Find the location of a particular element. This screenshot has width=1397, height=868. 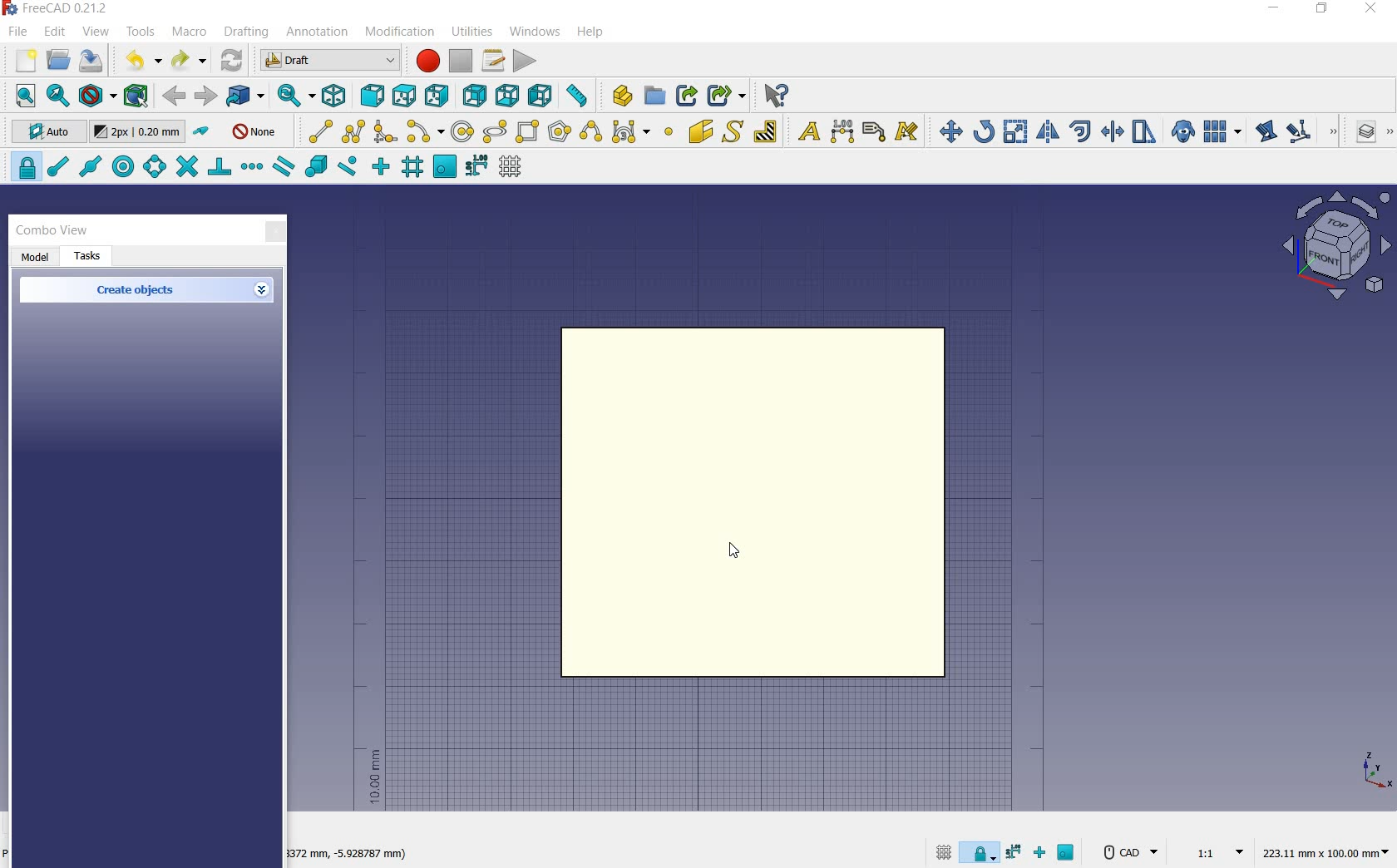

change default style for new objects is located at coordinates (140, 134).